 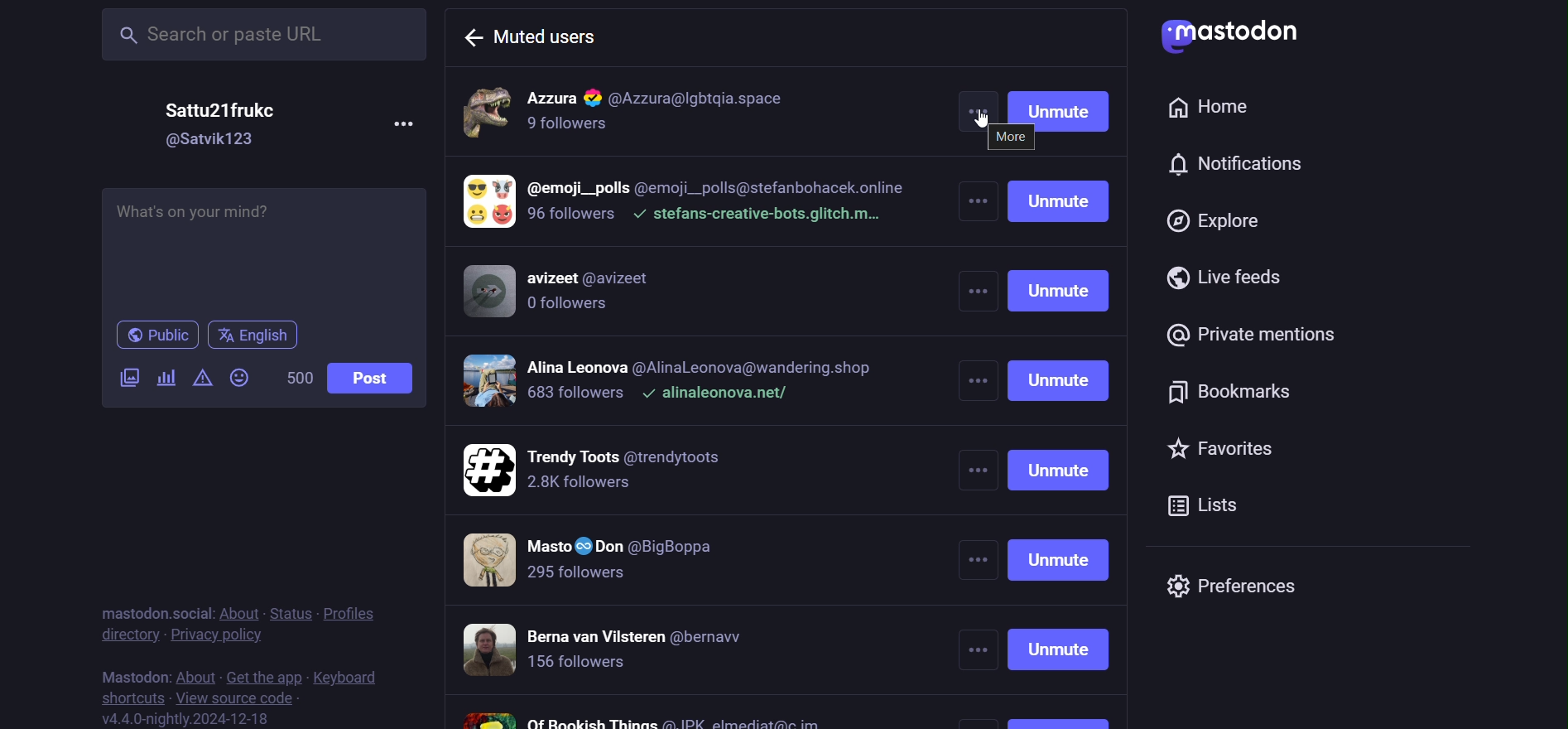 What do you see at coordinates (218, 109) in the screenshot?
I see `name` at bounding box center [218, 109].